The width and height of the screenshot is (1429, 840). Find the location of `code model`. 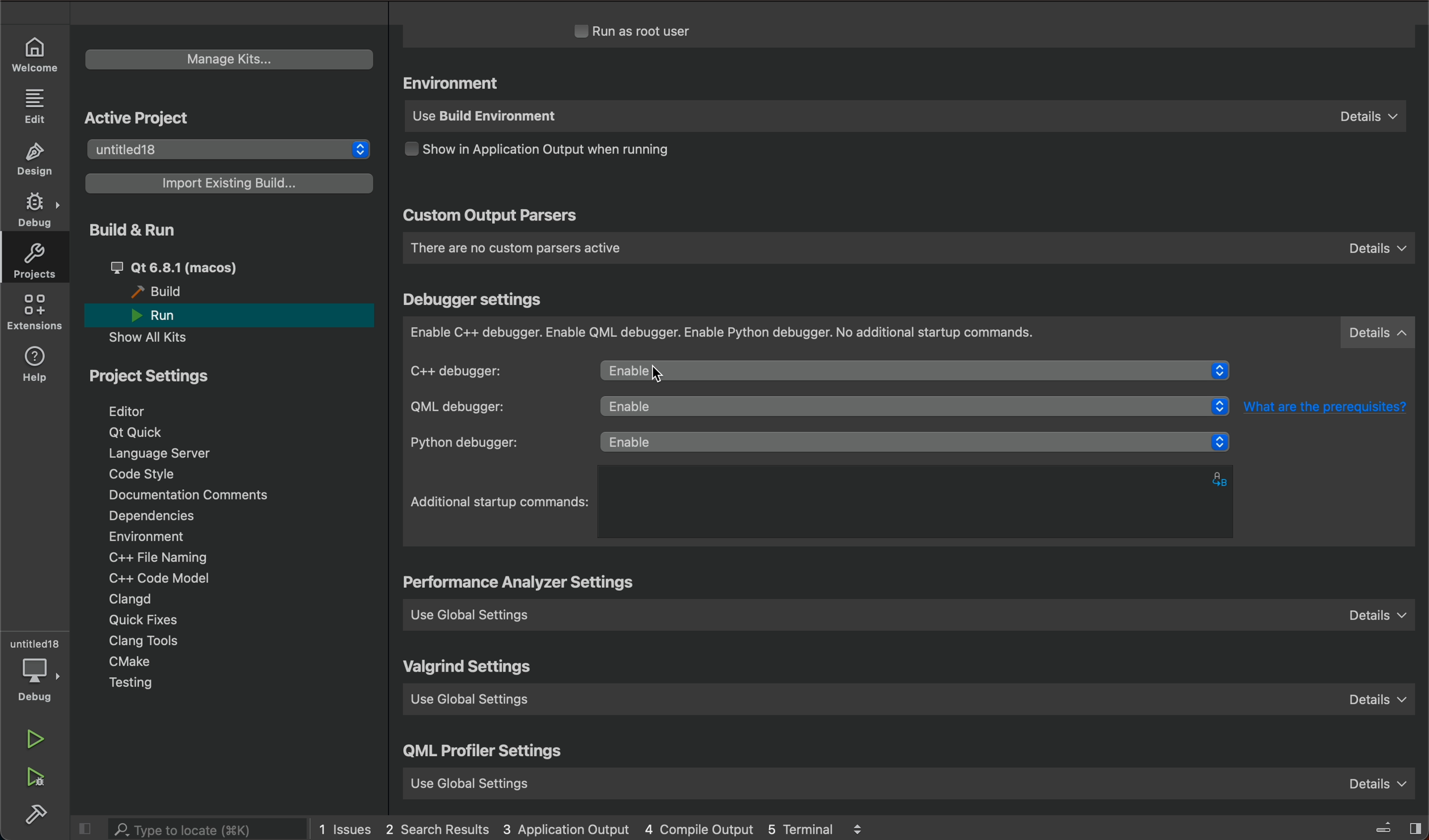

code model is located at coordinates (153, 578).